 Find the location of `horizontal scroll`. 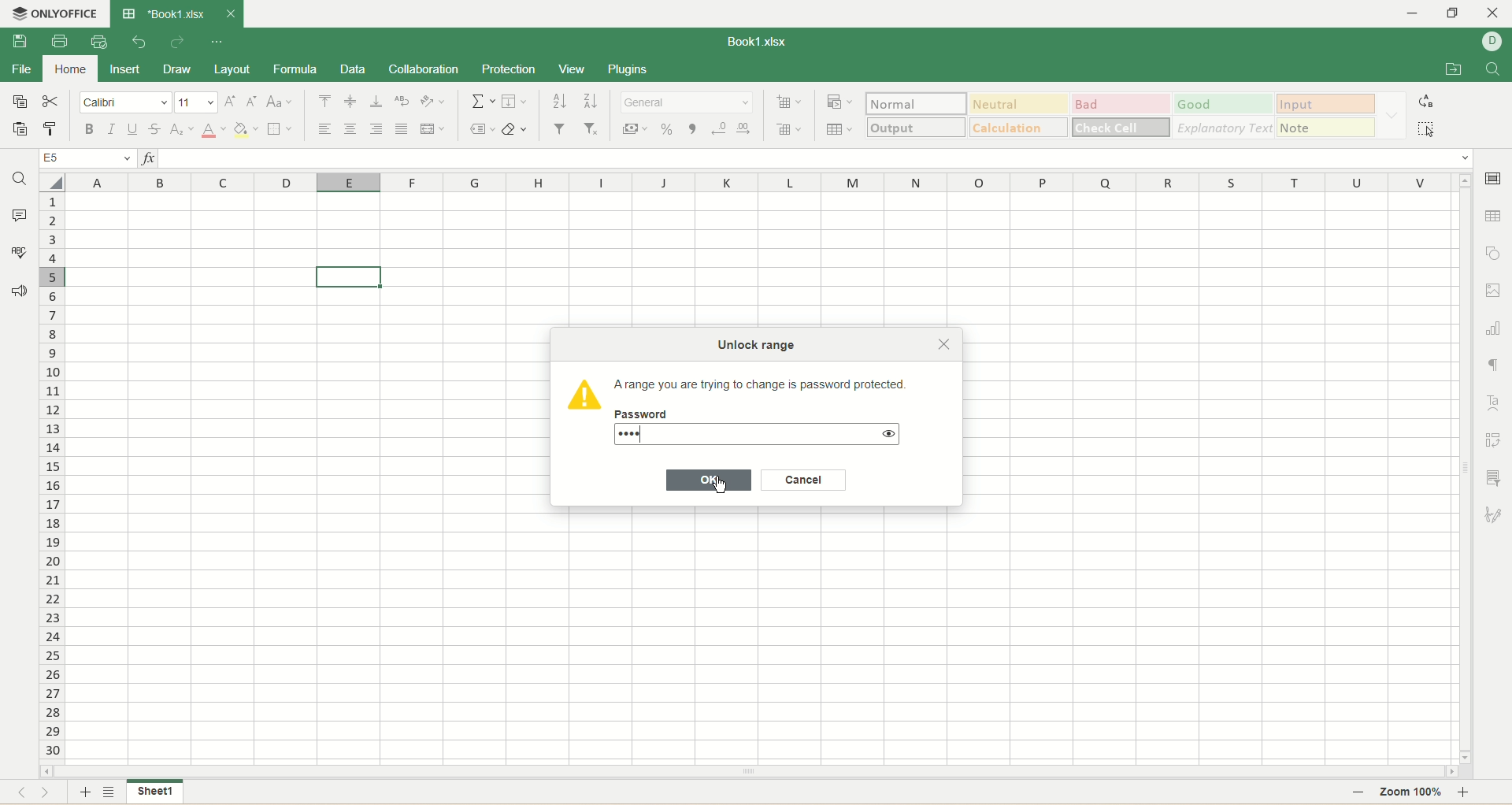

horizontal scroll is located at coordinates (747, 772).